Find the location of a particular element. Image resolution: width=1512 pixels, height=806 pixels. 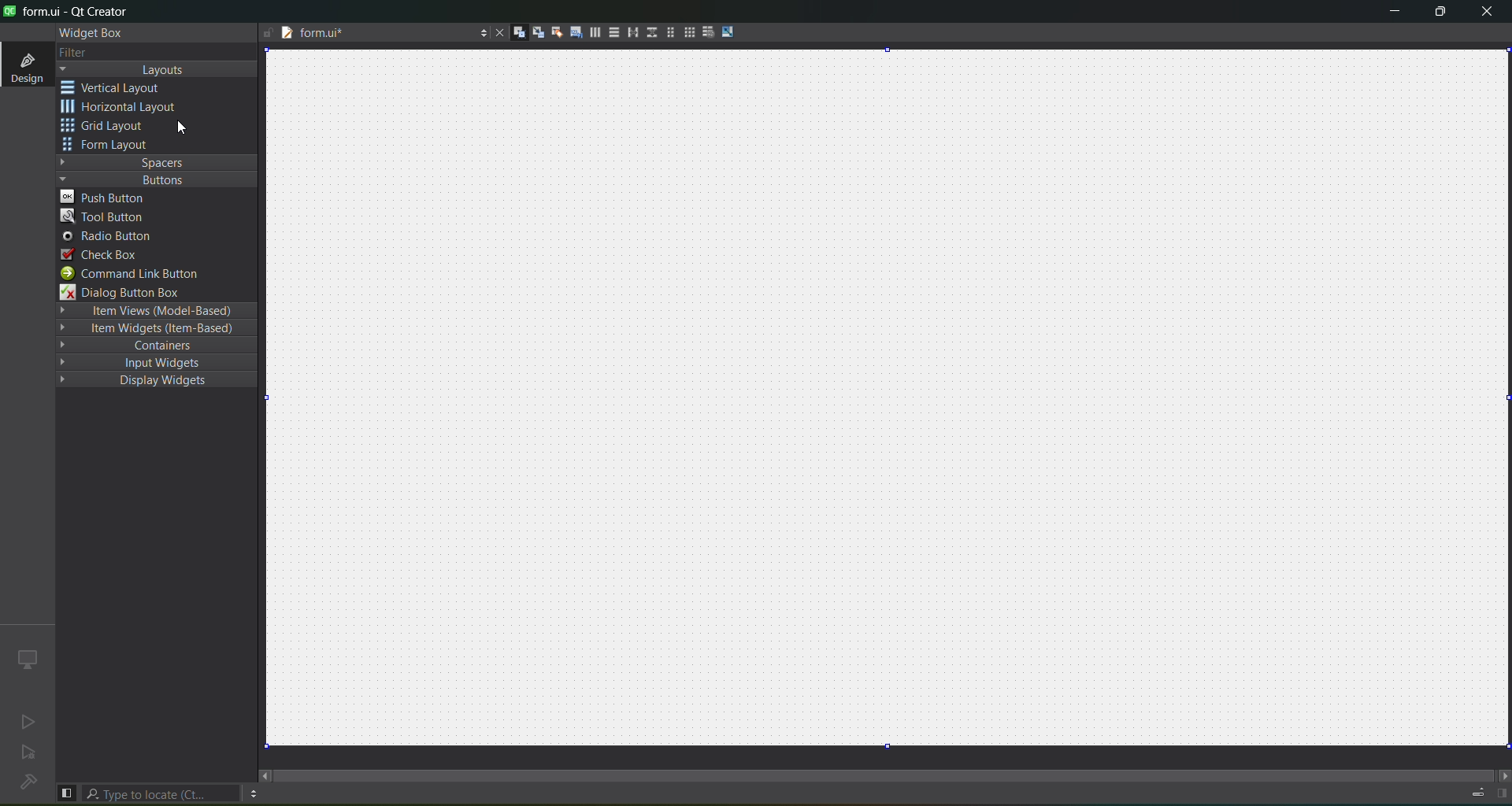

options is located at coordinates (480, 31).